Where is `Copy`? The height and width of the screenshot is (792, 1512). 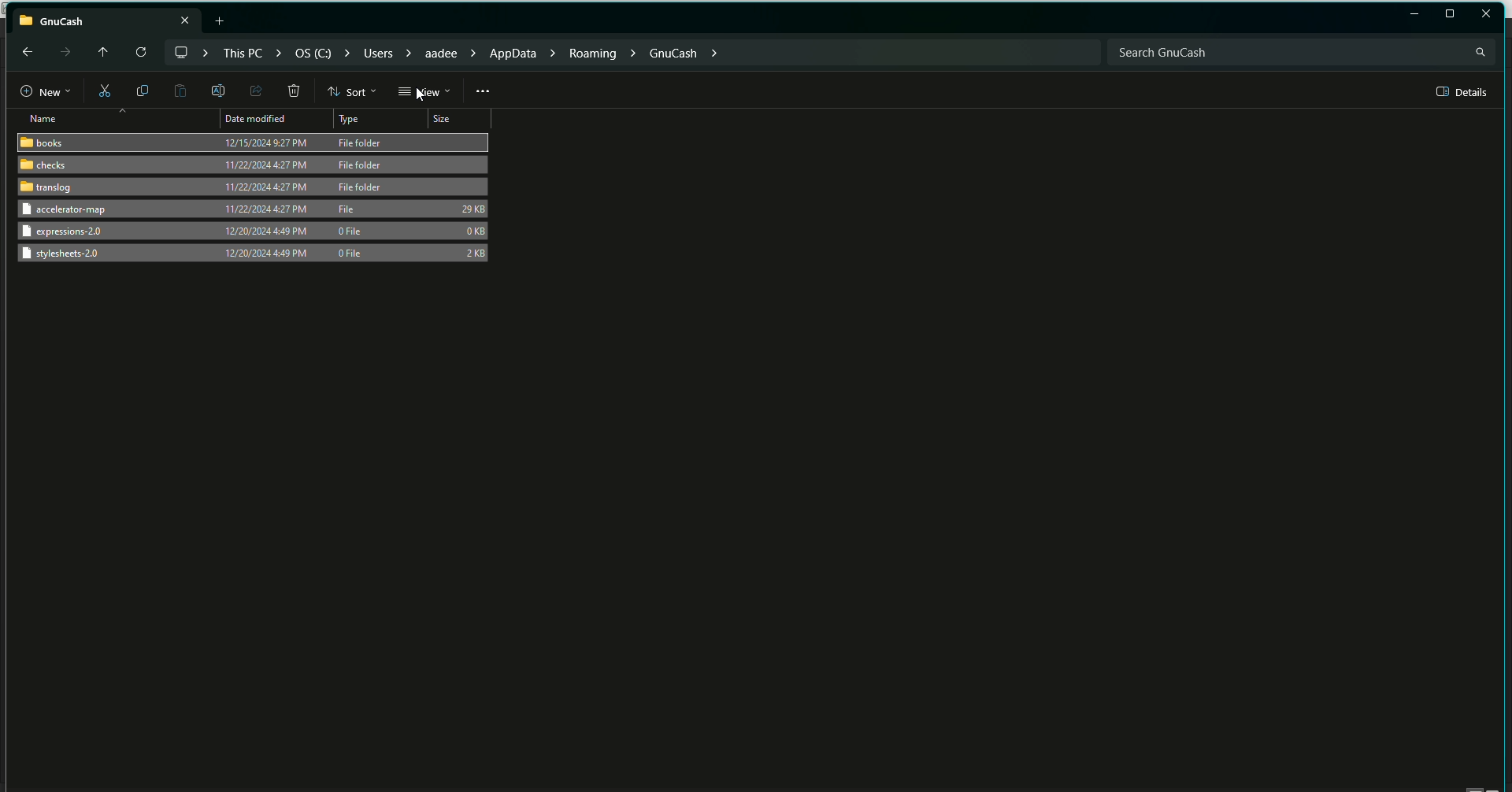
Copy is located at coordinates (139, 90).